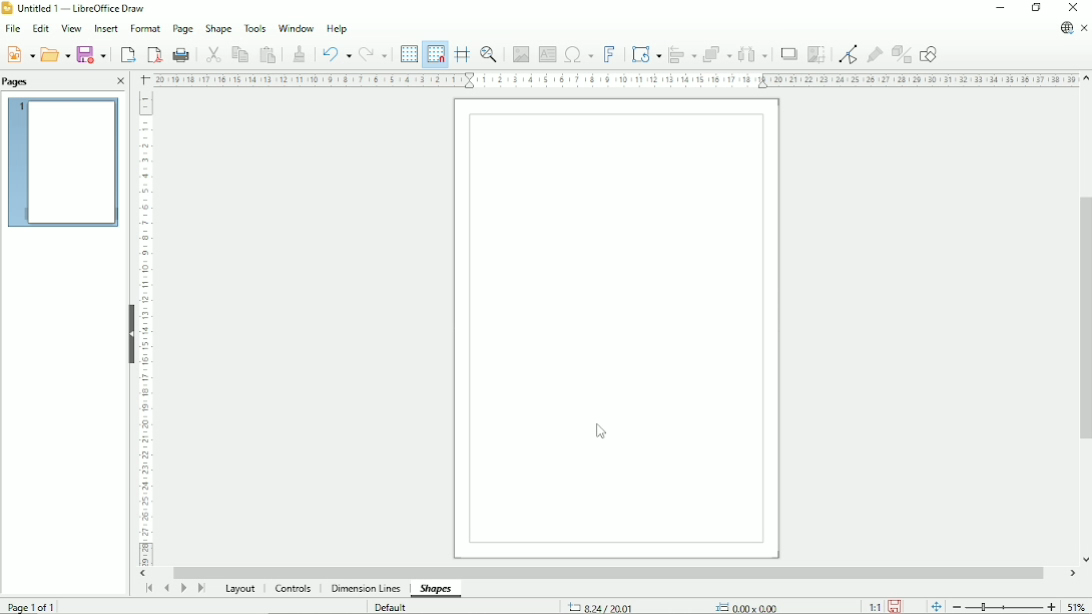 This screenshot has width=1092, height=614. Describe the element at coordinates (201, 589) in the screenshot. I see `Scroll to last page` at that location.